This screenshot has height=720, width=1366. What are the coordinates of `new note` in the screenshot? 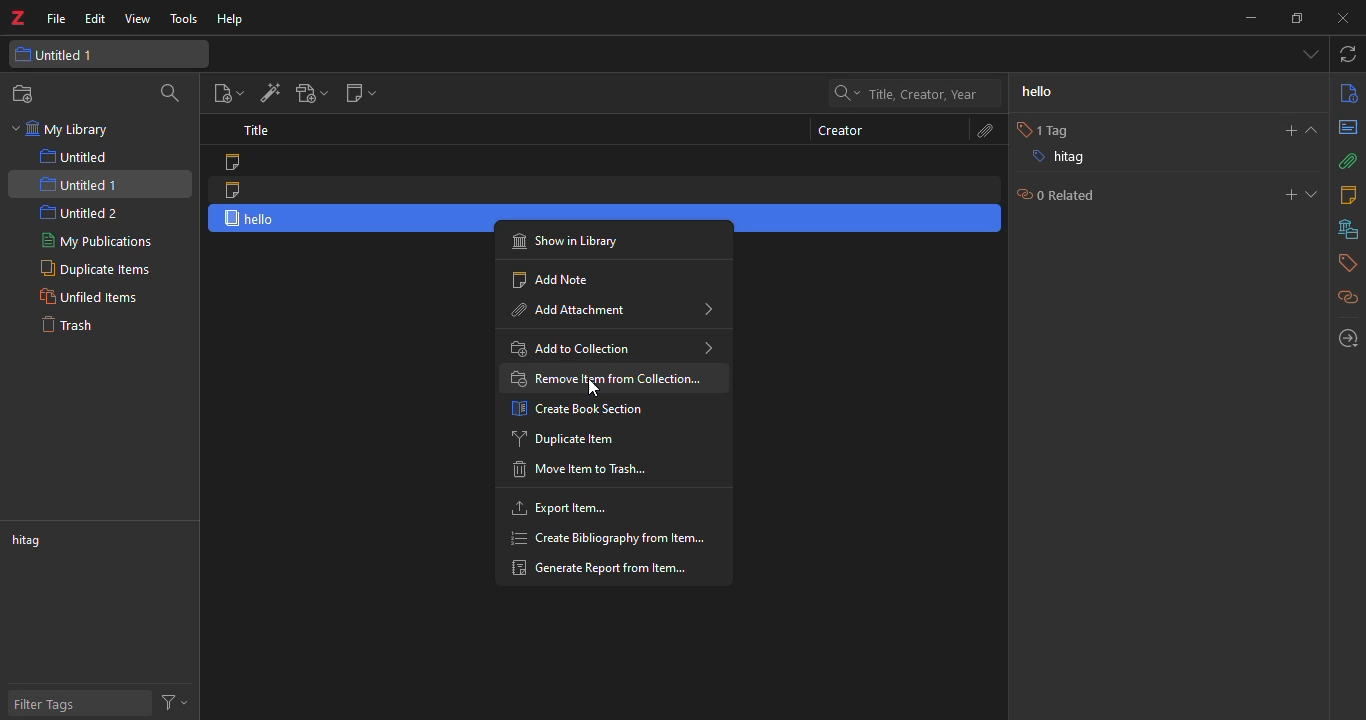 It's located at (358, 93).